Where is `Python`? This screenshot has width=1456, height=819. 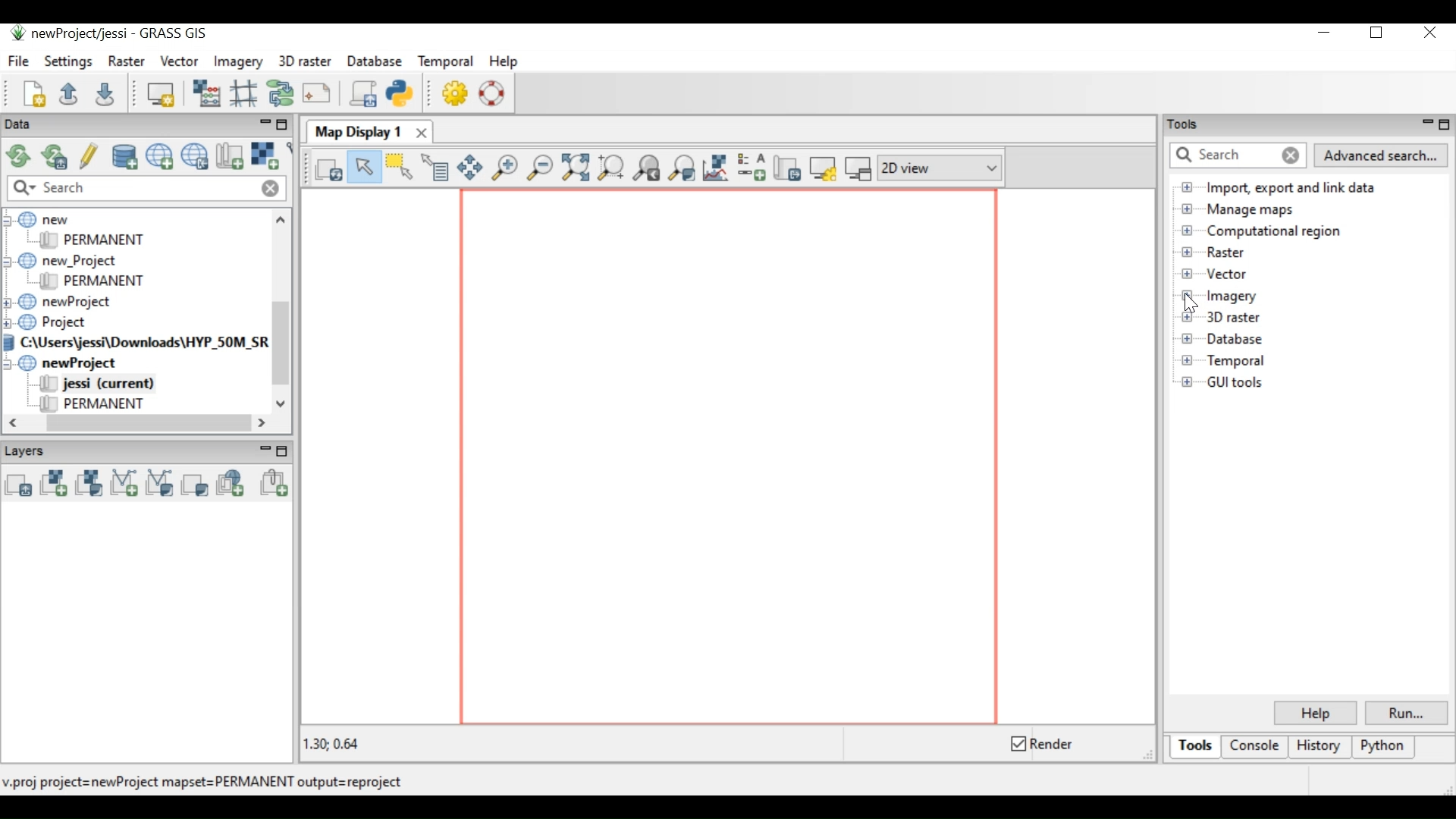
Python is located at coordinates (1382, 746).